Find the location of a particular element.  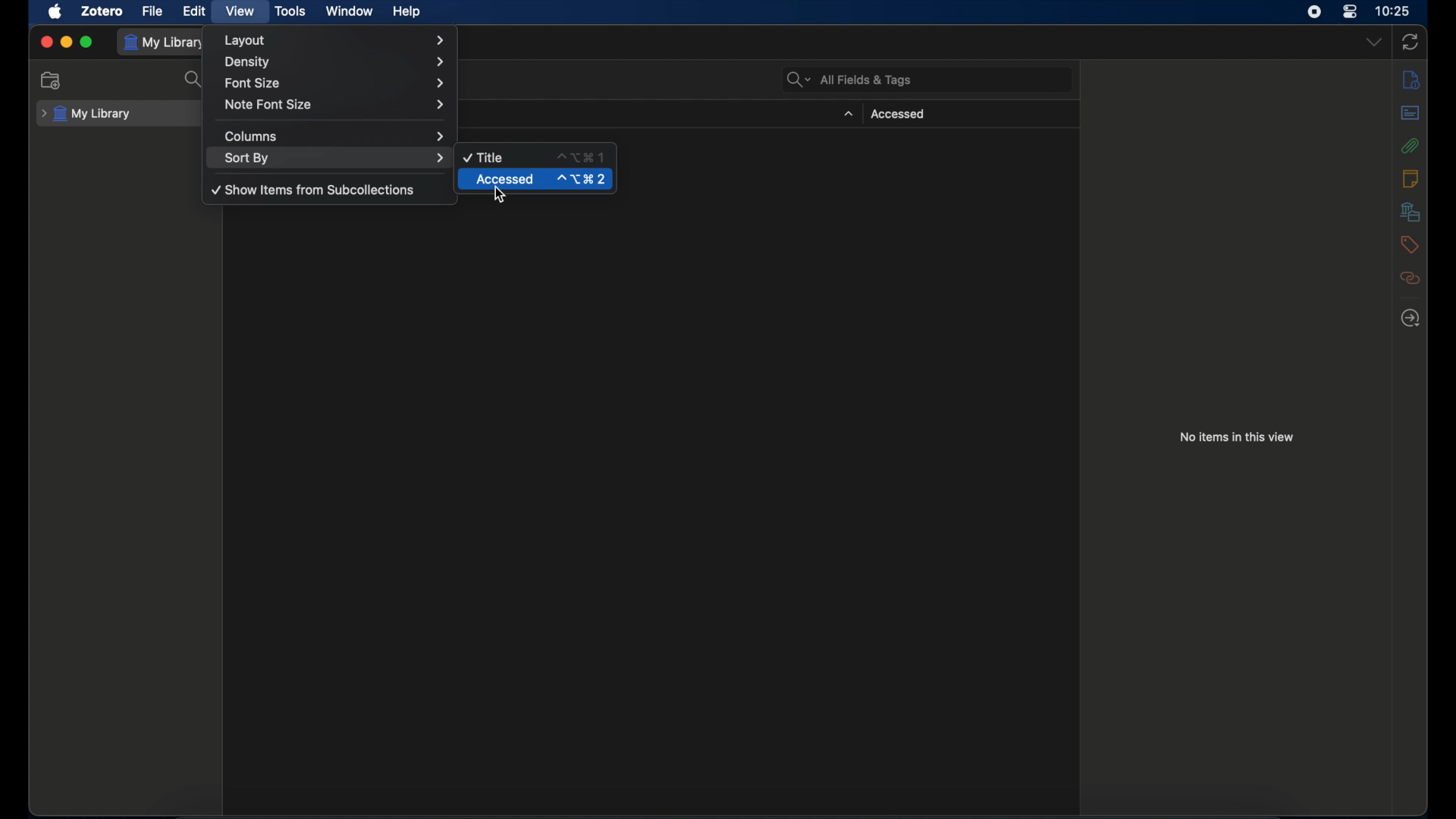

show items from subcollections is located at coordinates (313, 190).